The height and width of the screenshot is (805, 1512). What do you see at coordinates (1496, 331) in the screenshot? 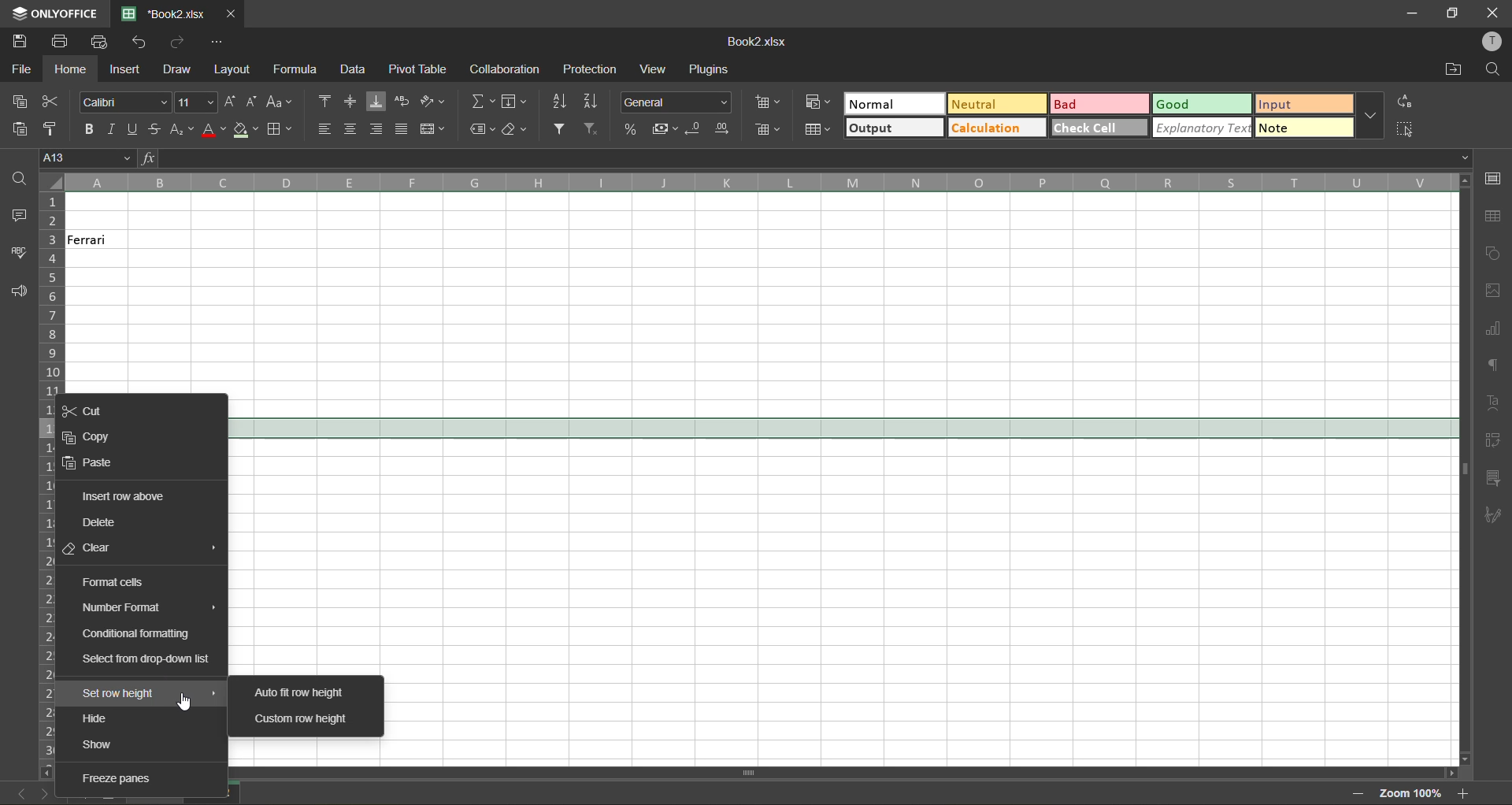
I see `charts` at bounding box center [1496, 331].